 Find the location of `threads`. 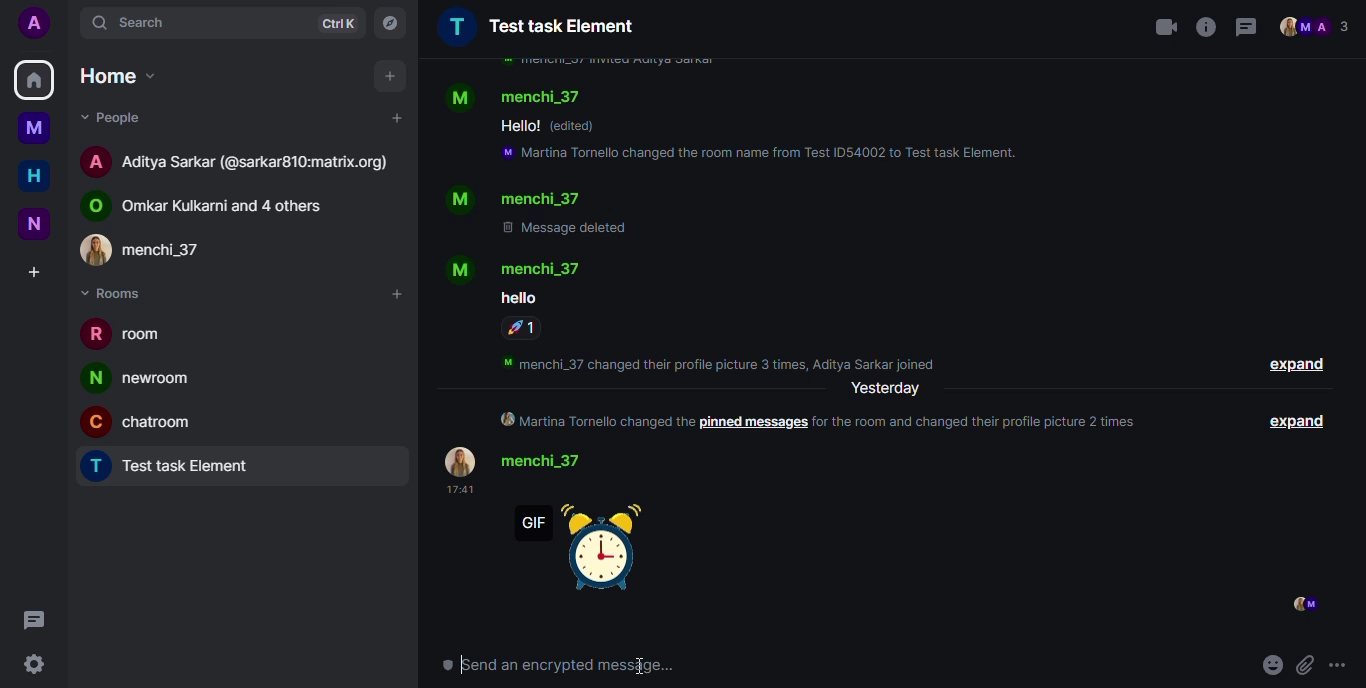

threads is located at coordinates (35, 622).